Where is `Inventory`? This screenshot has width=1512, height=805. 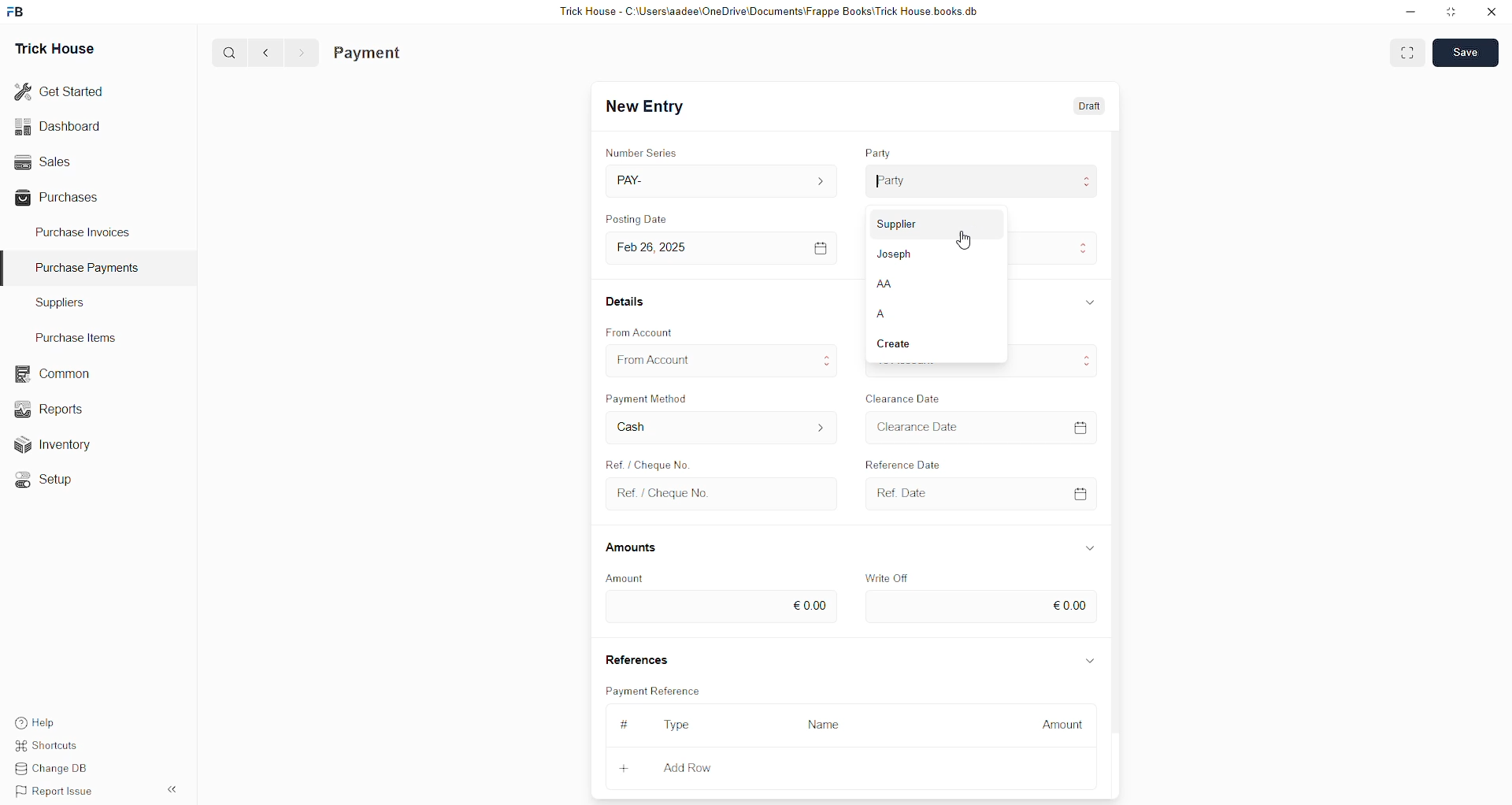
Inventory is located at coordinates (54, 443).